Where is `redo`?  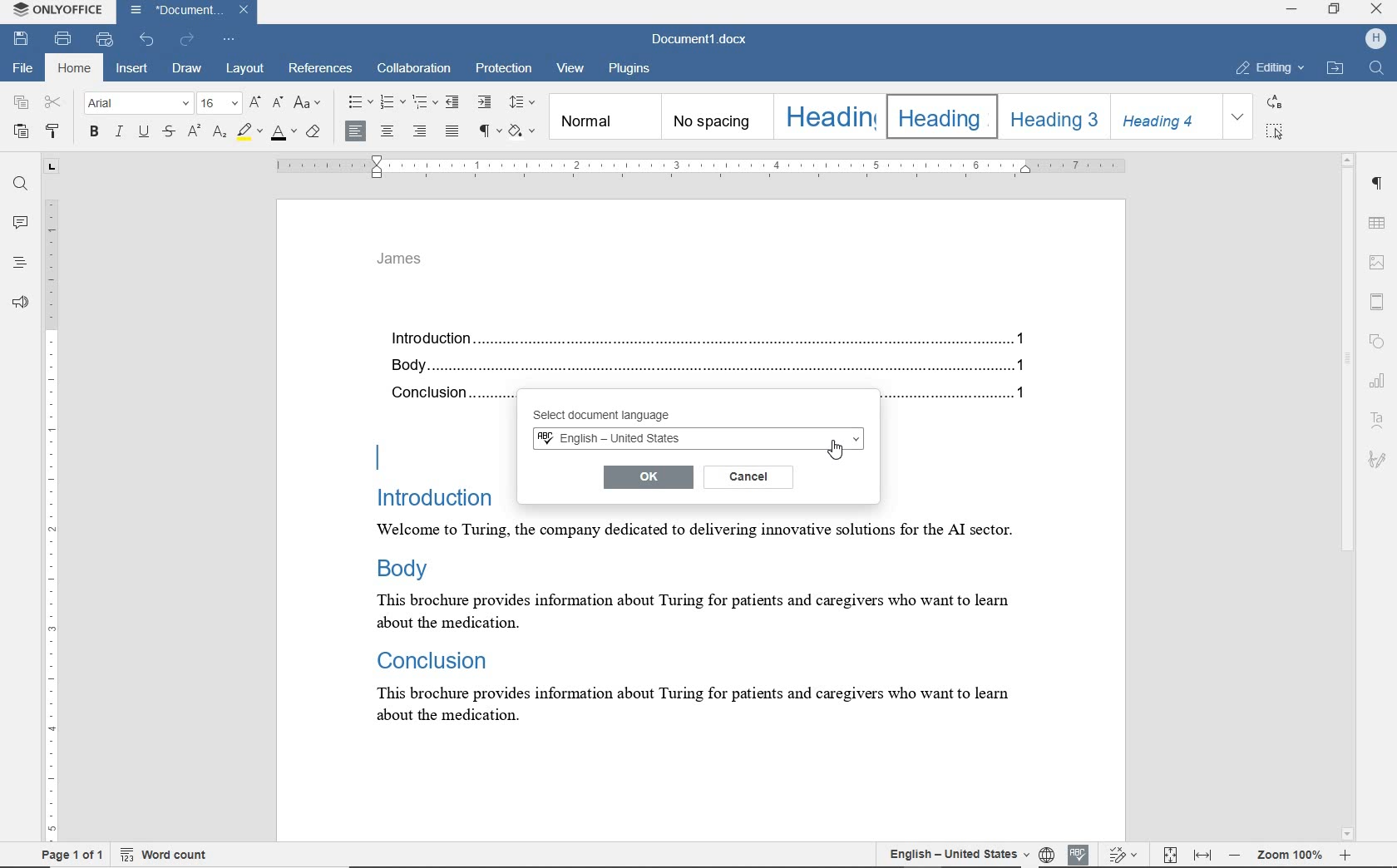 redo is located at coordinates (187, 40).